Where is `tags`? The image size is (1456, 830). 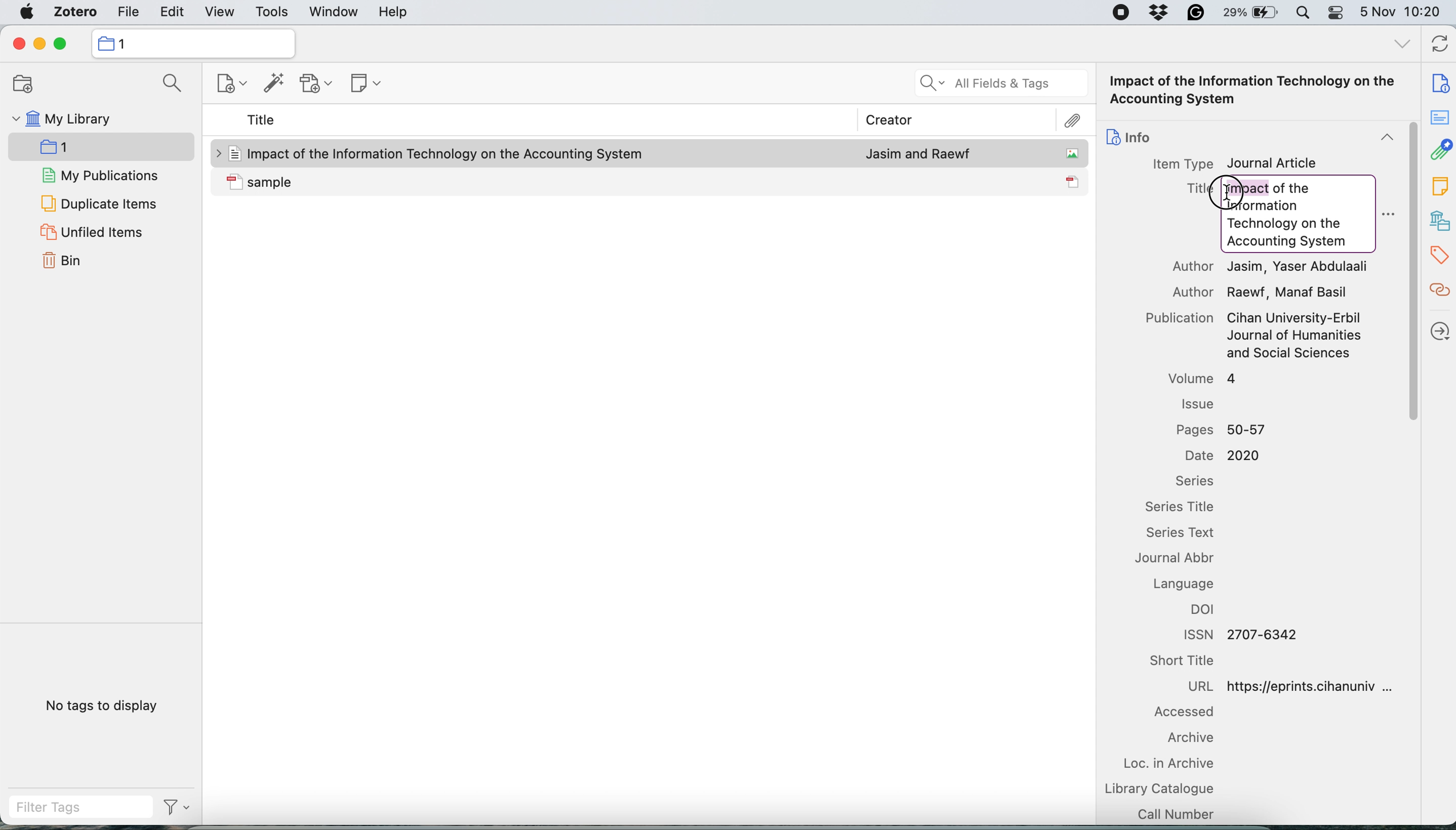
tags is located at coordinates (1439, 257).